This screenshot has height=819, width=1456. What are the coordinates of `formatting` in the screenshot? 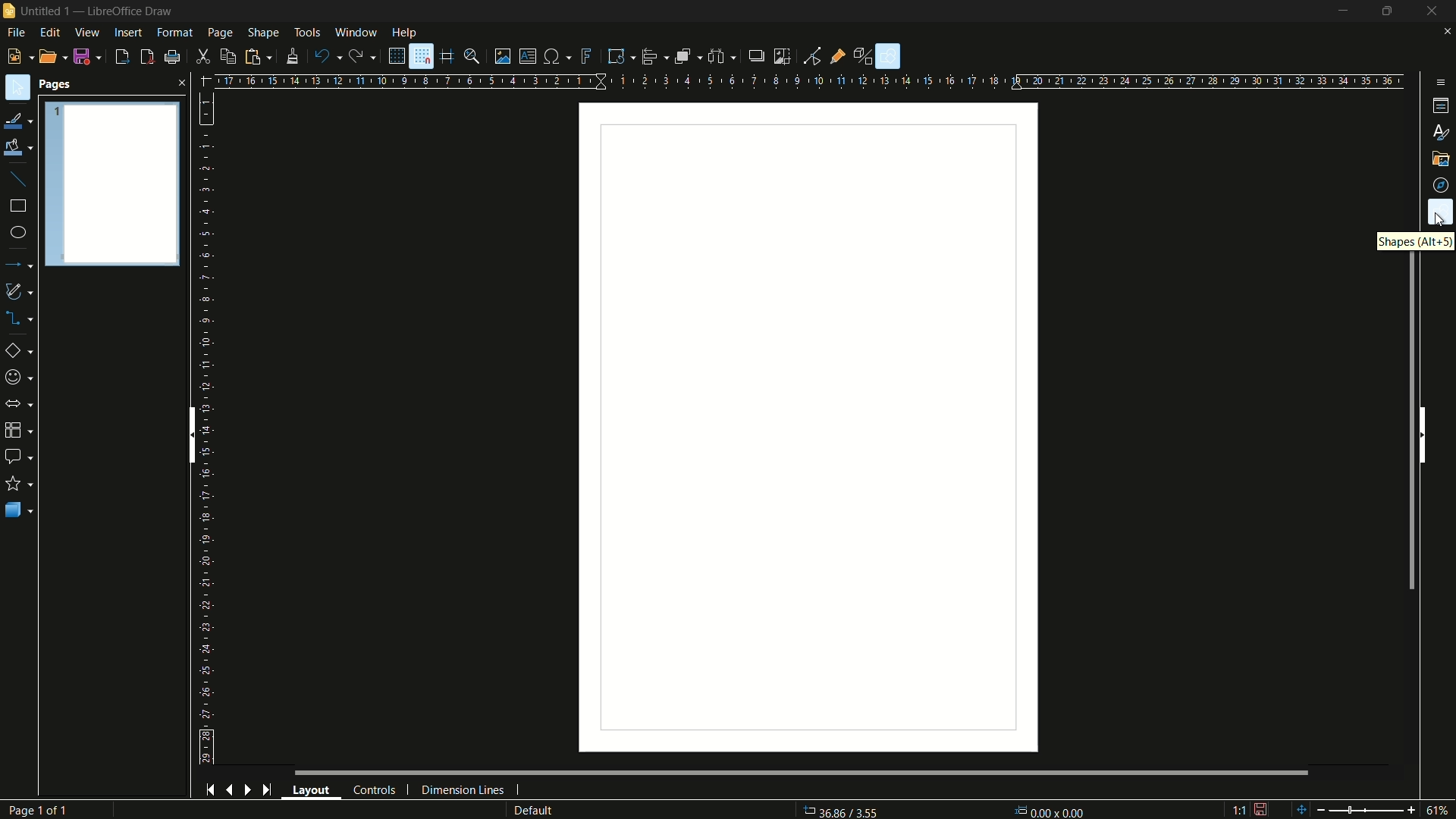 It's located at (294, 56).